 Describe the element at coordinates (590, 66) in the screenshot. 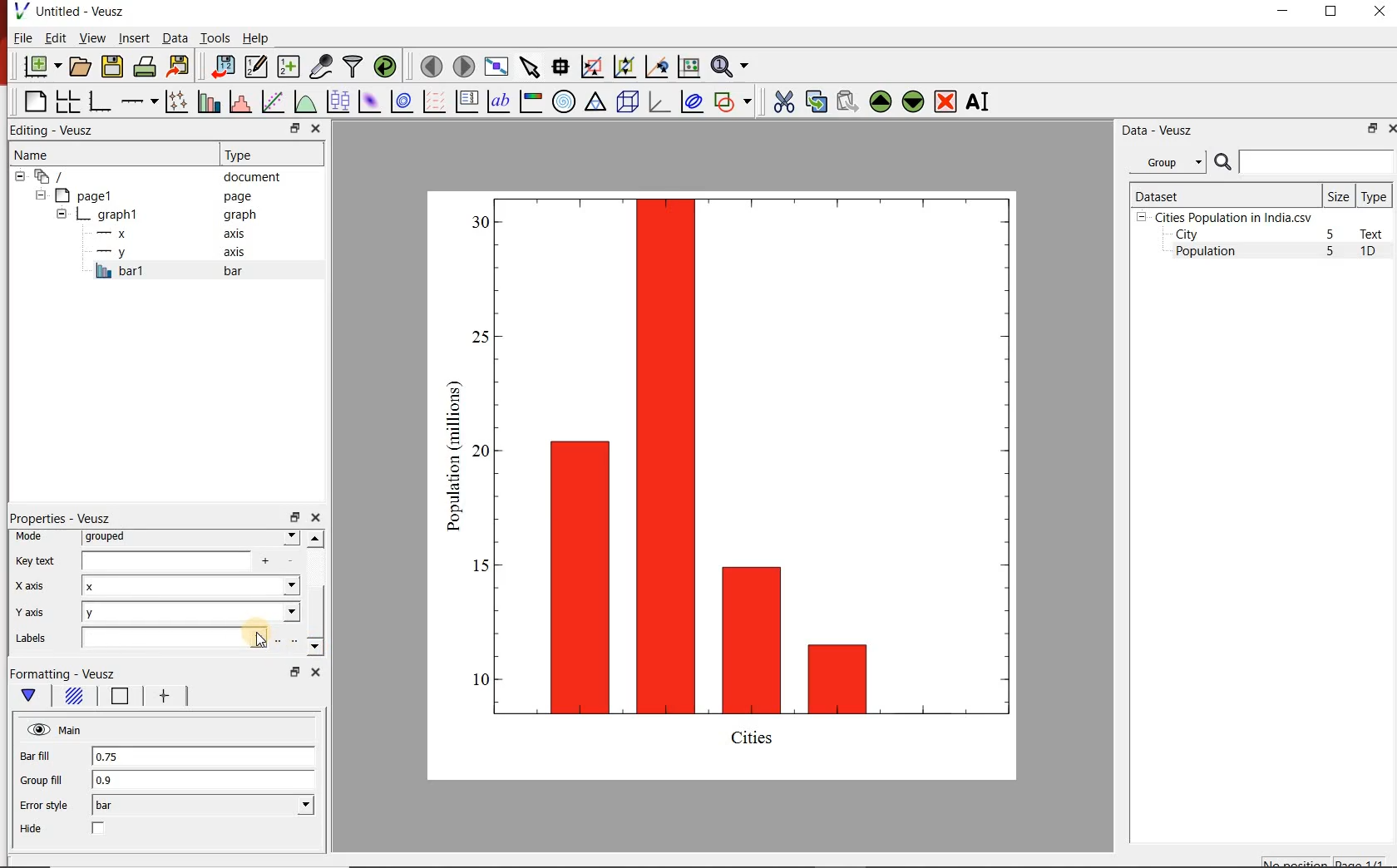

I see `click or draw a rectangle to zoom graph indexes` at that location.